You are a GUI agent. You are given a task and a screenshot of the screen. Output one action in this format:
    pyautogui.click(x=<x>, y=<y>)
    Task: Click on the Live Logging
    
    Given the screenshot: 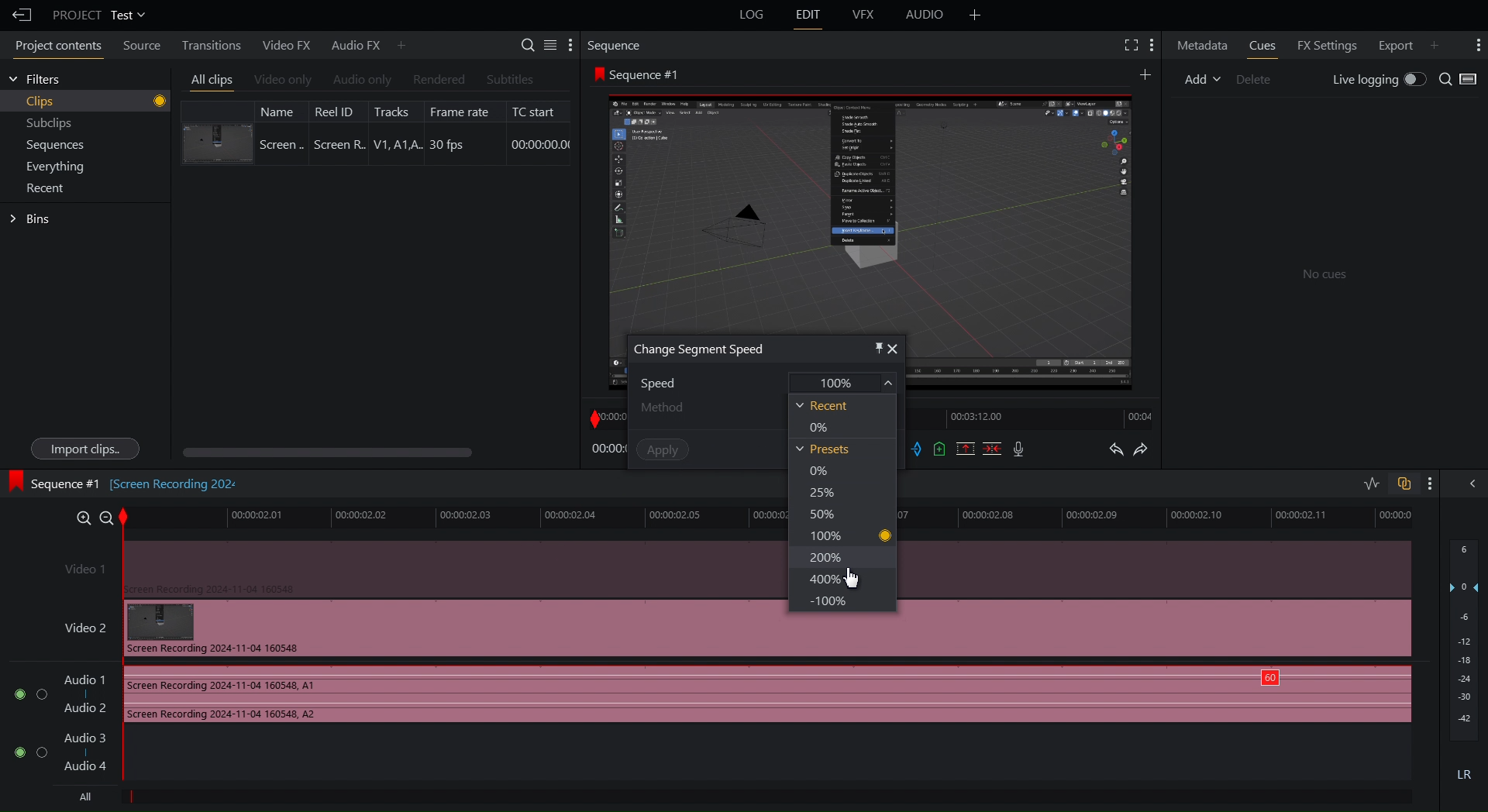 What is the action you would take?
    pyautogui.click(x=1376, y=81)
    